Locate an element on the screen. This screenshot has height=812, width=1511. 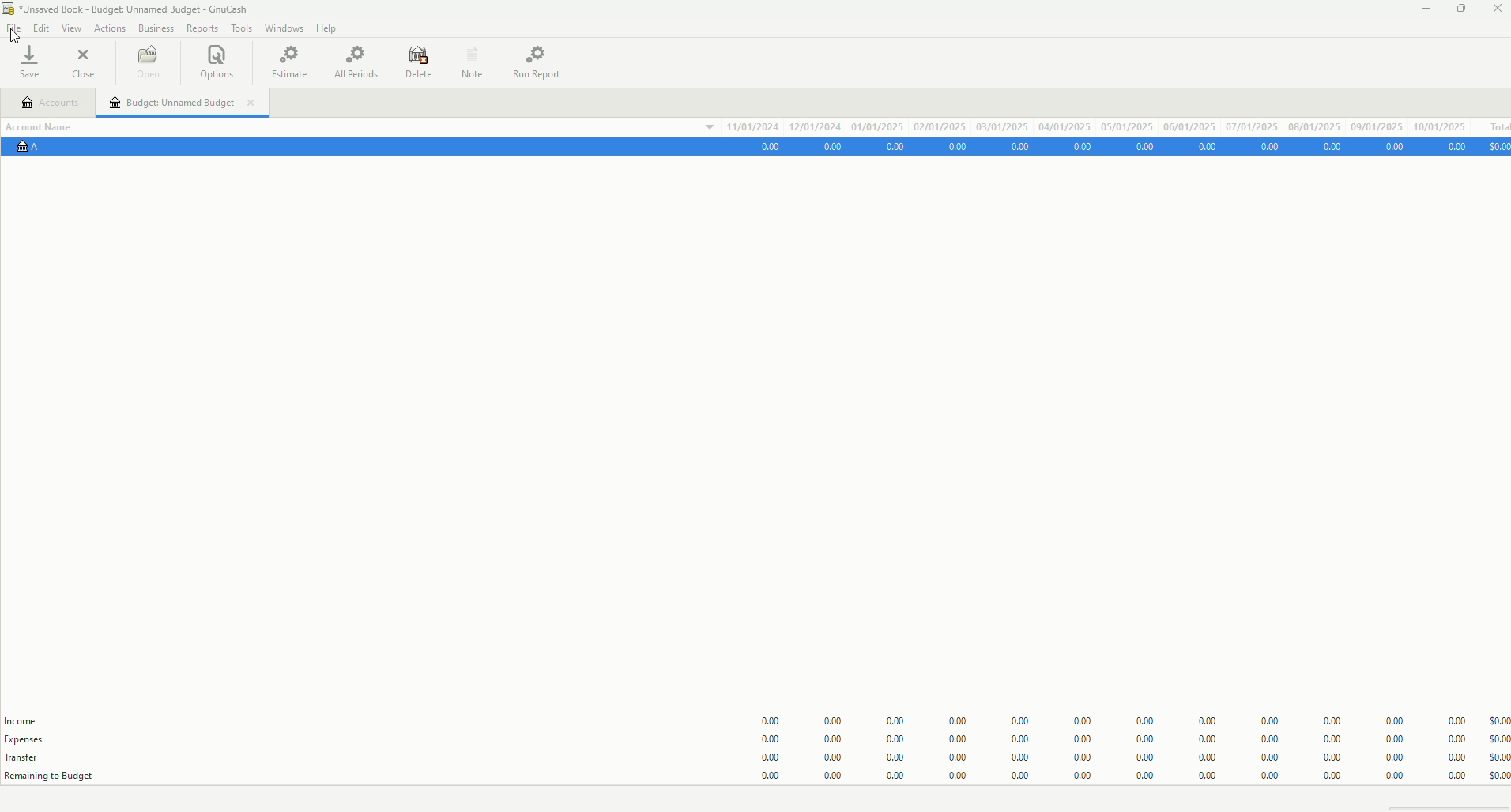
Unnamed Budget is located at coordinates (192, 104).